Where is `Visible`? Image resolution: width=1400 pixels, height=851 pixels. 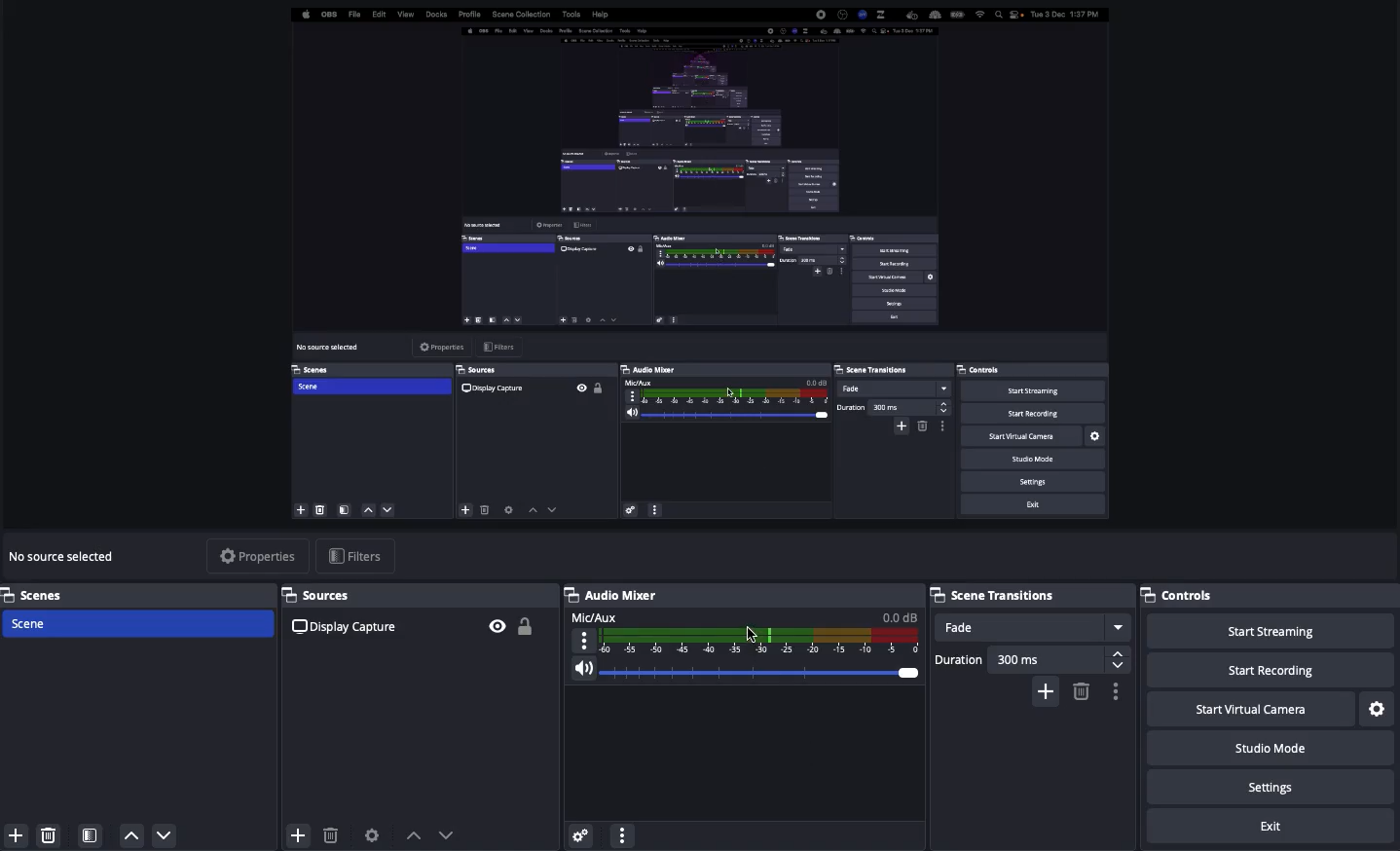 Visible is located at coordinates (497, 624).